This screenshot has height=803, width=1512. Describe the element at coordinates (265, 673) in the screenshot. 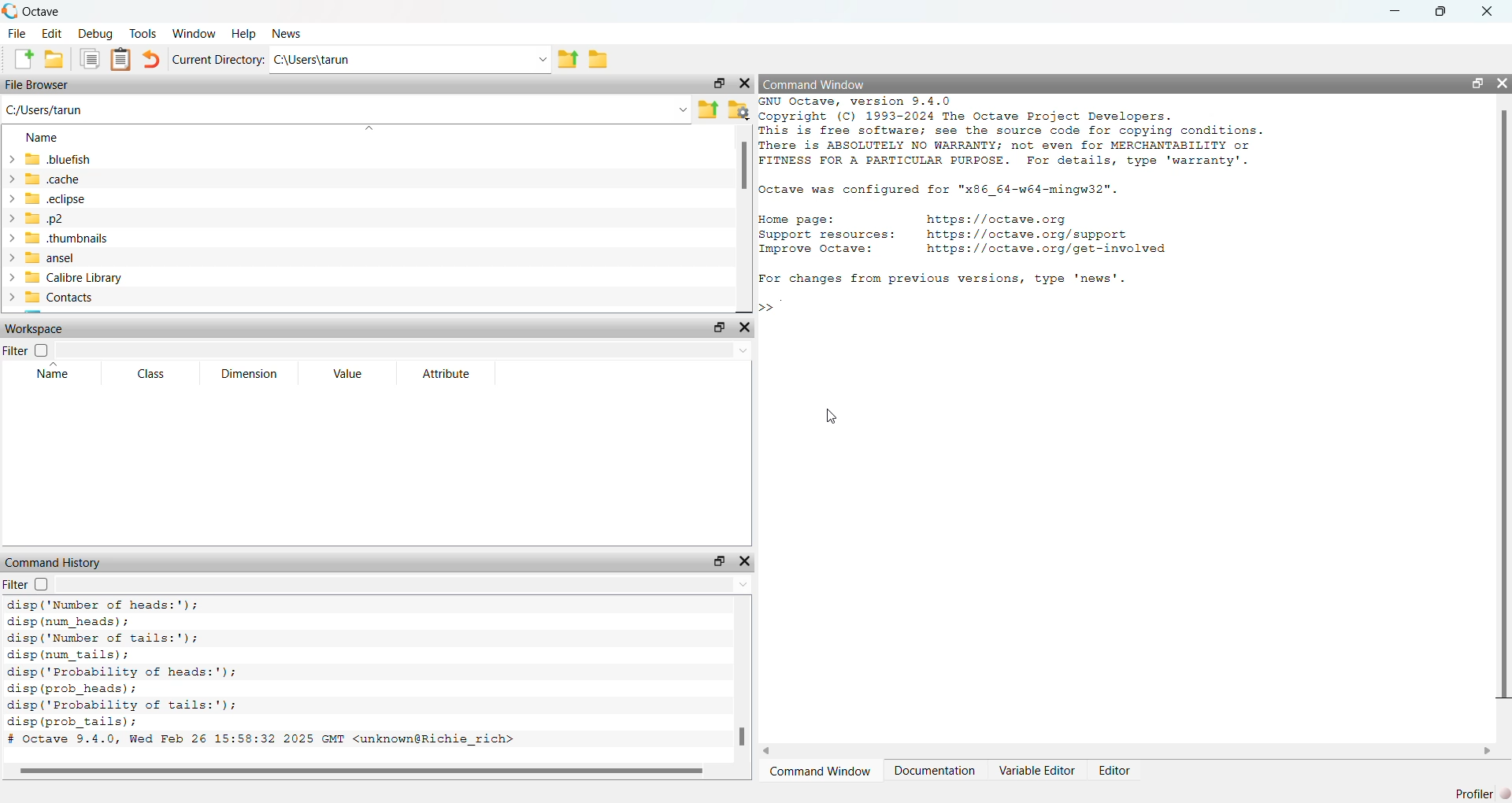

I see `disp ('Number of heads:');

disp (num_heads) ;

disp ('Number of tails:');

disp (num_tails);

disp('Probability of heads:');

disp (prob_heads) ;

disp(' Probability of tails:');

disp (prob_tails);

# Octave 9.4.0, Wed Feb 26 15:58:32 2025 GMT <unknown@Richie_rich>` at that location.